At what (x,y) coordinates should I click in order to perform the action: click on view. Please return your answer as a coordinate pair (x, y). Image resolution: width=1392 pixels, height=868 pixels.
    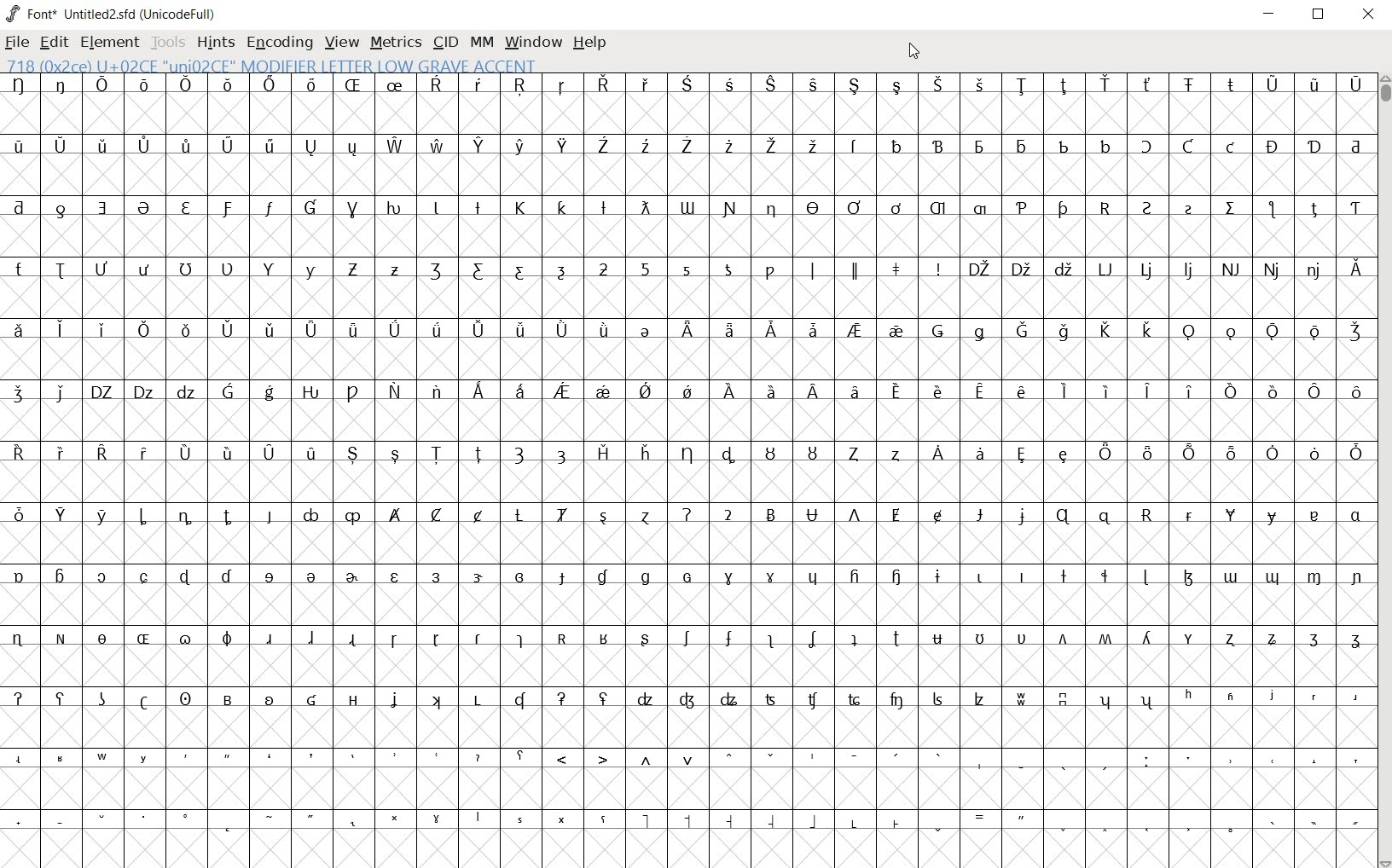
    Looking at the image, I should click on (342, 43).